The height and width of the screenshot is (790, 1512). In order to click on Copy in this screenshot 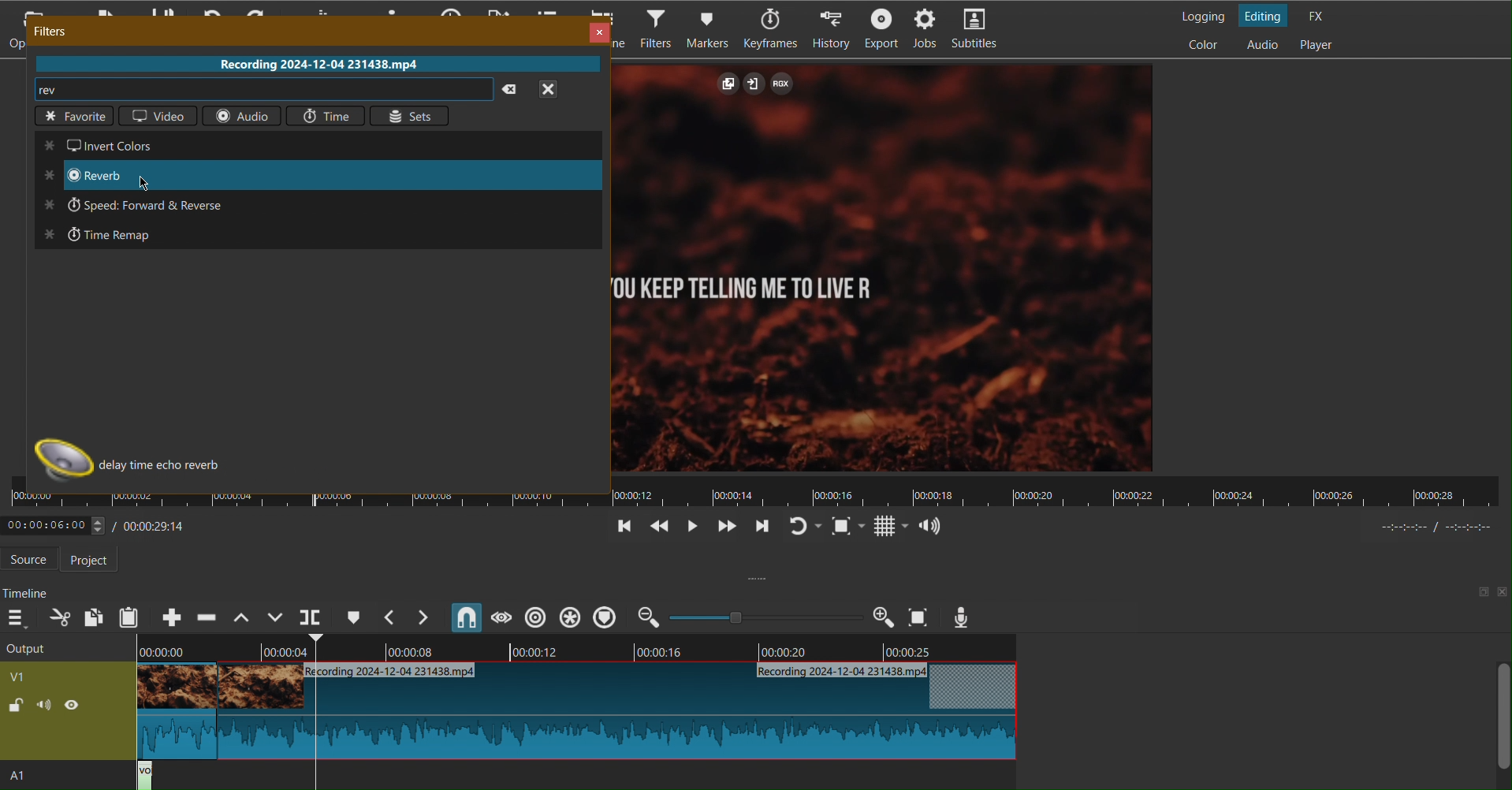, I will do `click(95, 616)`.